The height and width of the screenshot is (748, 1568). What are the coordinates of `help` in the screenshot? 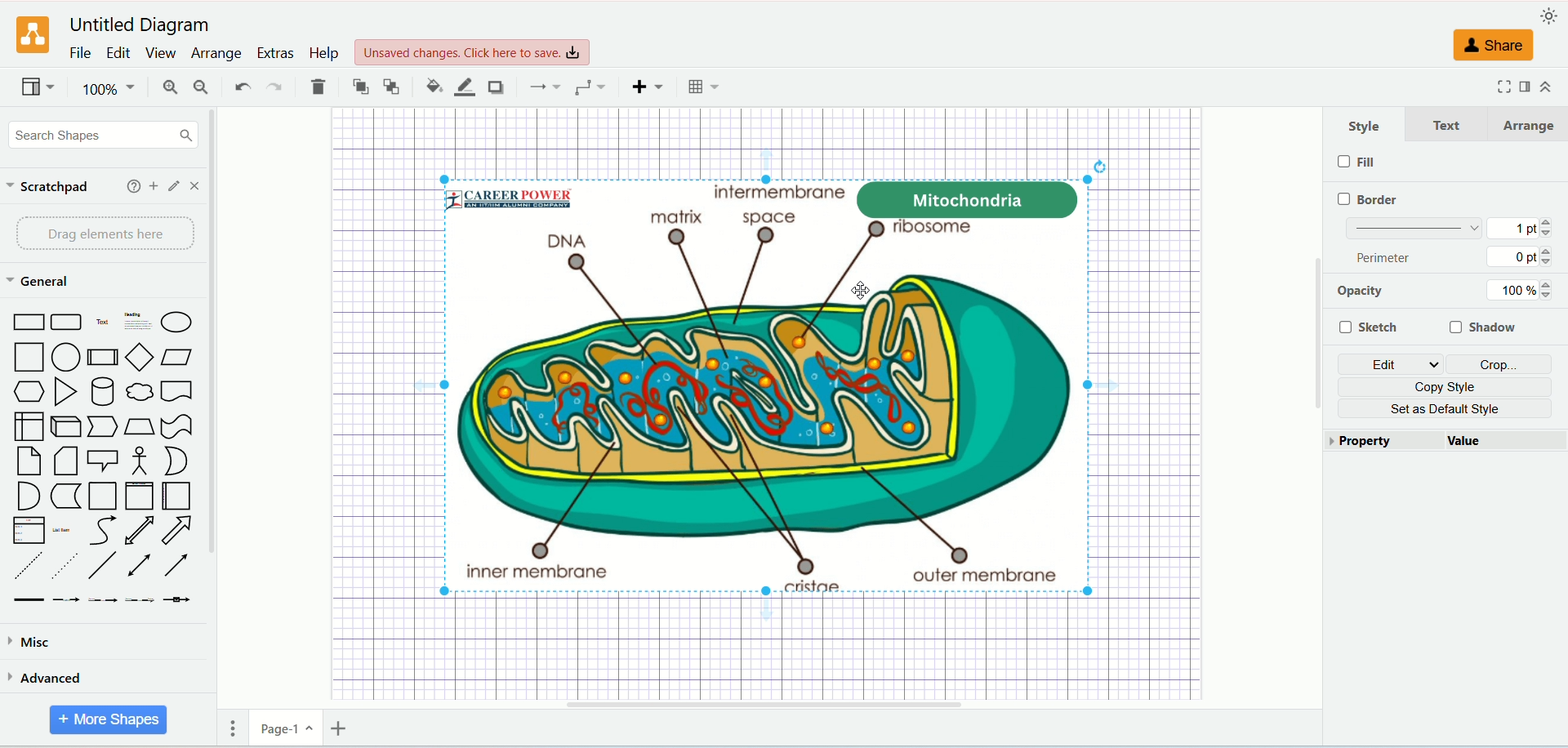 It's located at (131, 185).